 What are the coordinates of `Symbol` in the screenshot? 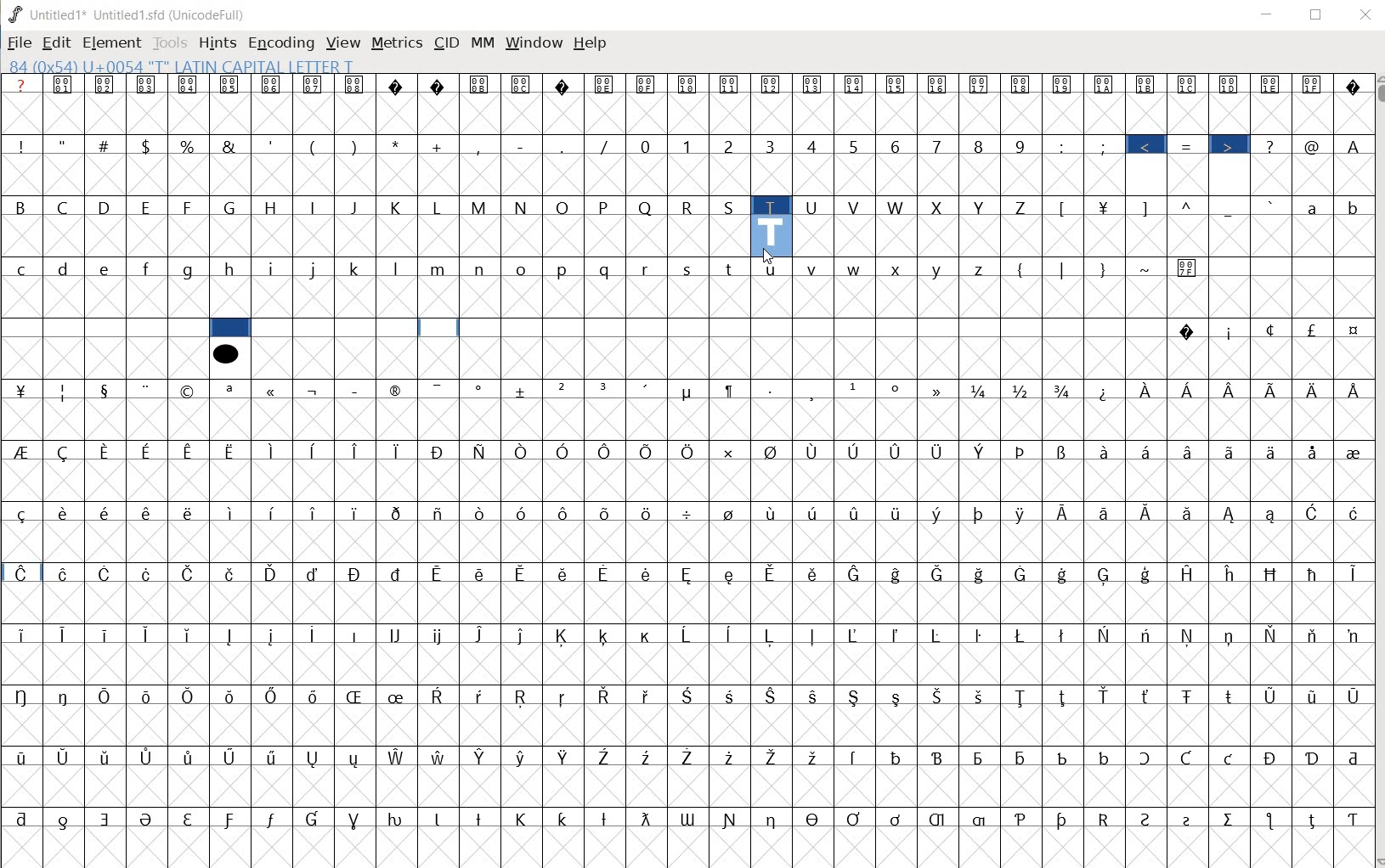 It's located at (1230, 759).